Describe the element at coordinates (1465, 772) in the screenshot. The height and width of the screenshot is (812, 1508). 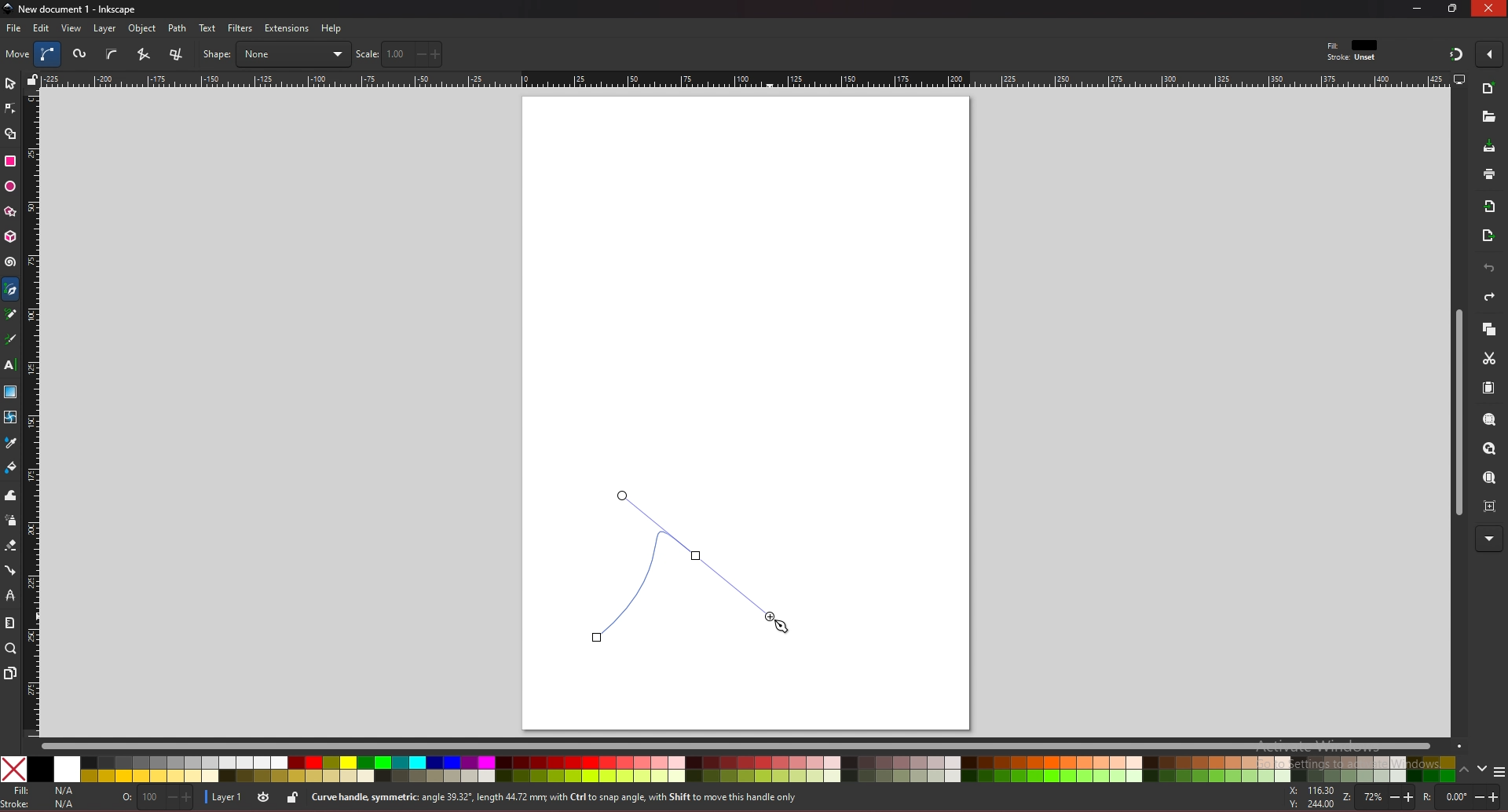
I see `up` at that location.